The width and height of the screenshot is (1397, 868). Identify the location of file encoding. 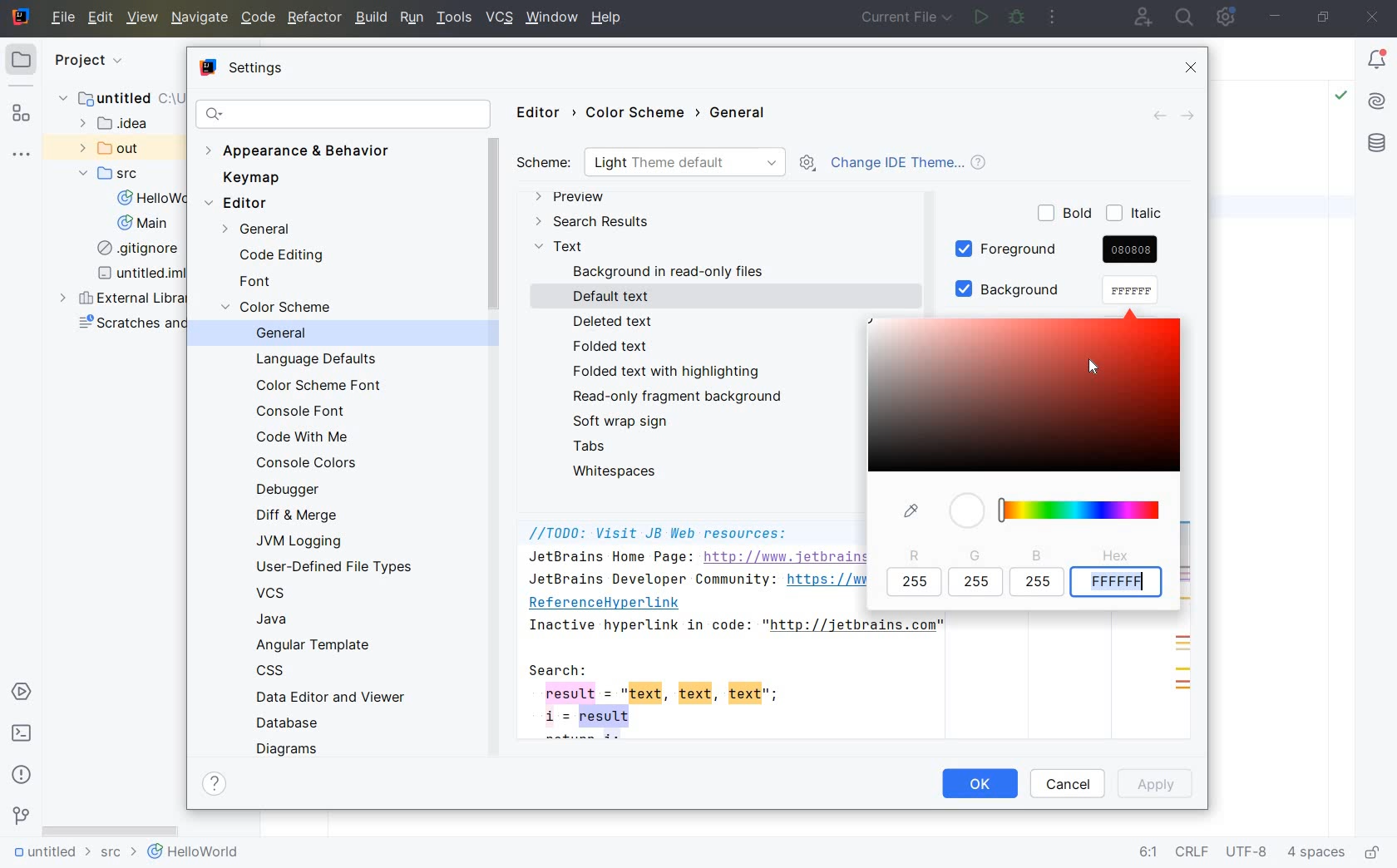
(1248, 853).